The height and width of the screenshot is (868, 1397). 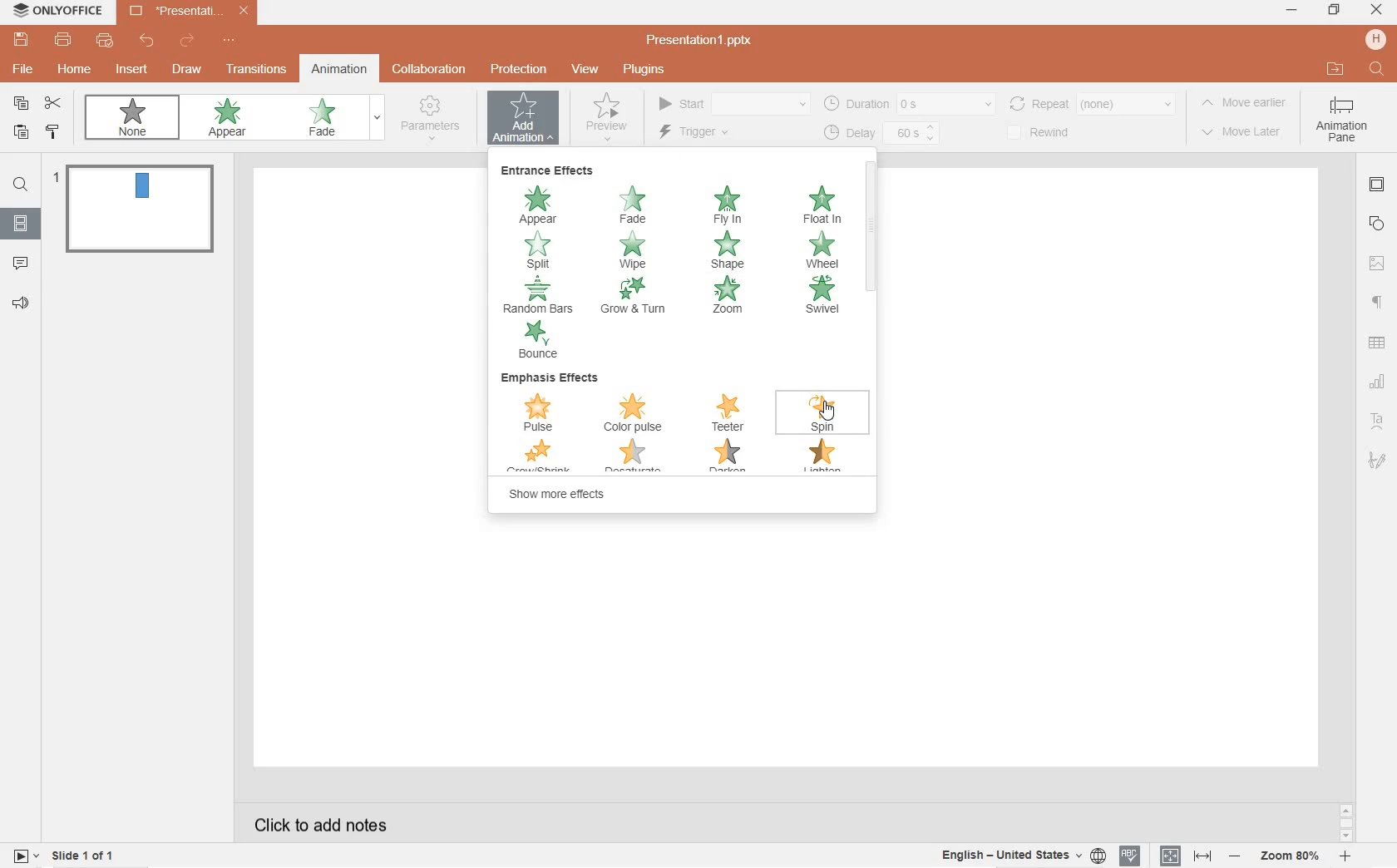 What do you see at coordinates (1377, 224) in the screenshot?
I see `shape settings` at bounding box center [1377, 224].